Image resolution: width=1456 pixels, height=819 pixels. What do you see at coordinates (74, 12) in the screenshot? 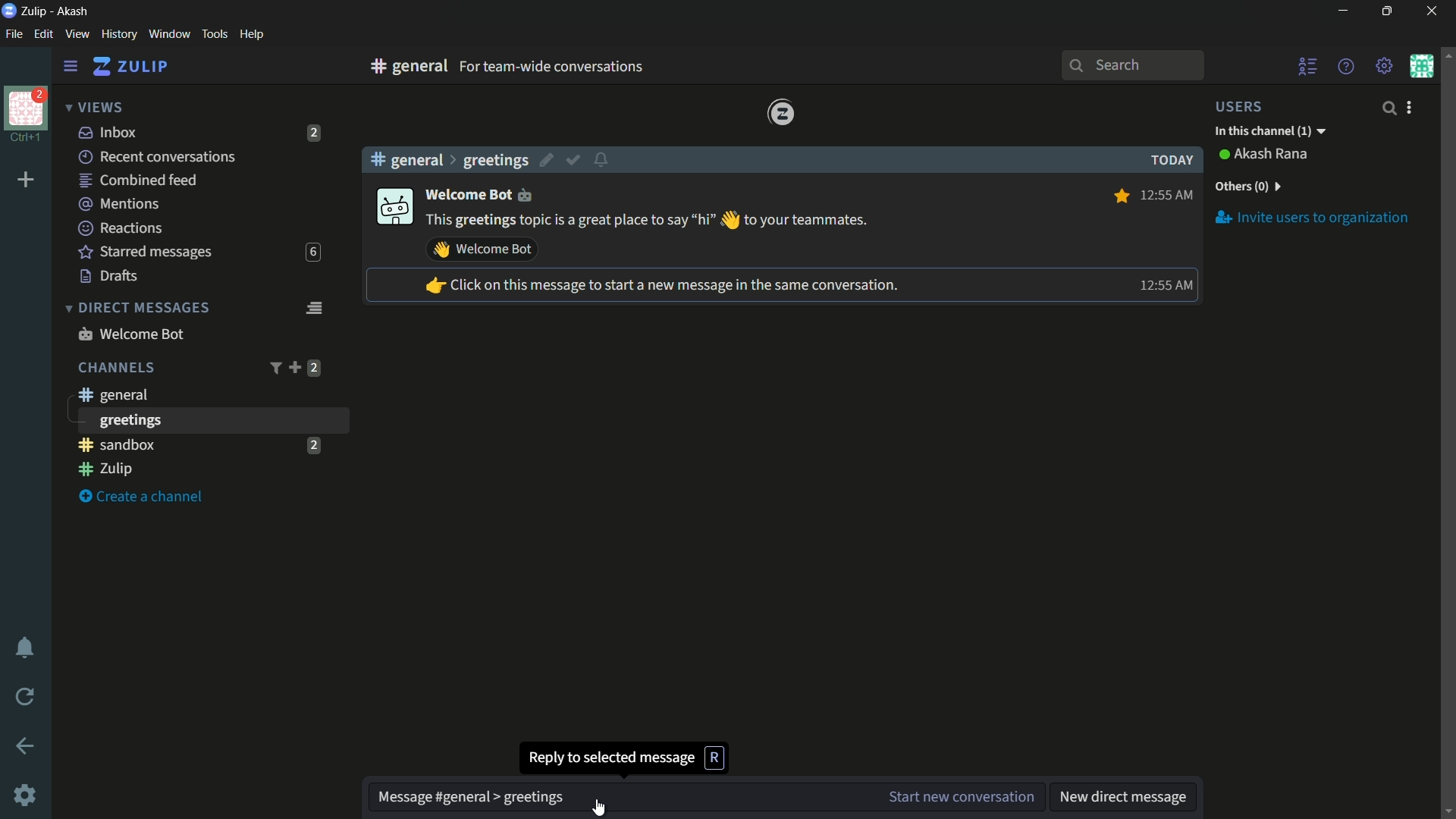
I see `Akash` at bounding box center [74, 12].